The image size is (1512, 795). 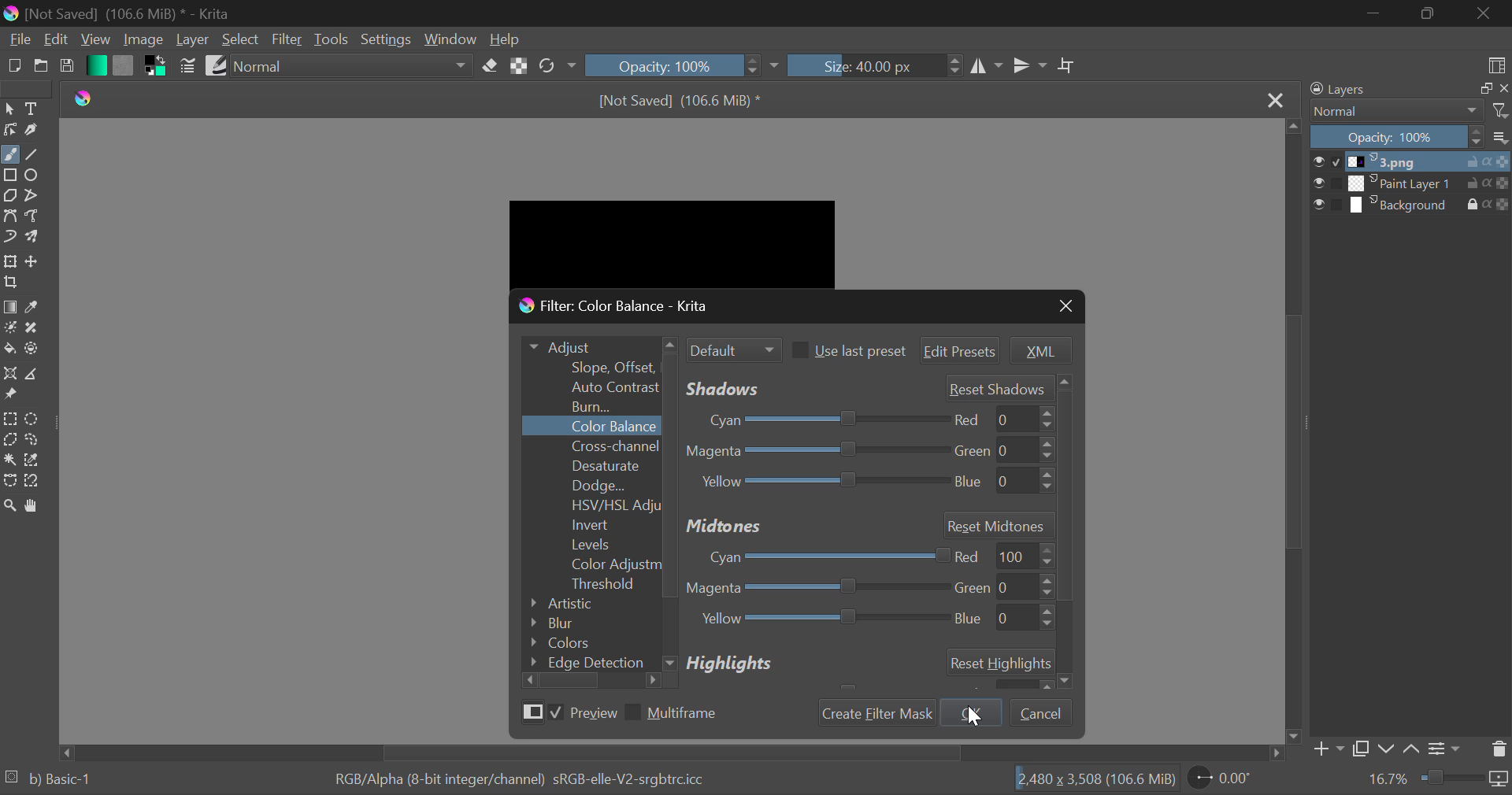 I want to click on Polylines, so click(x=32, y=198).